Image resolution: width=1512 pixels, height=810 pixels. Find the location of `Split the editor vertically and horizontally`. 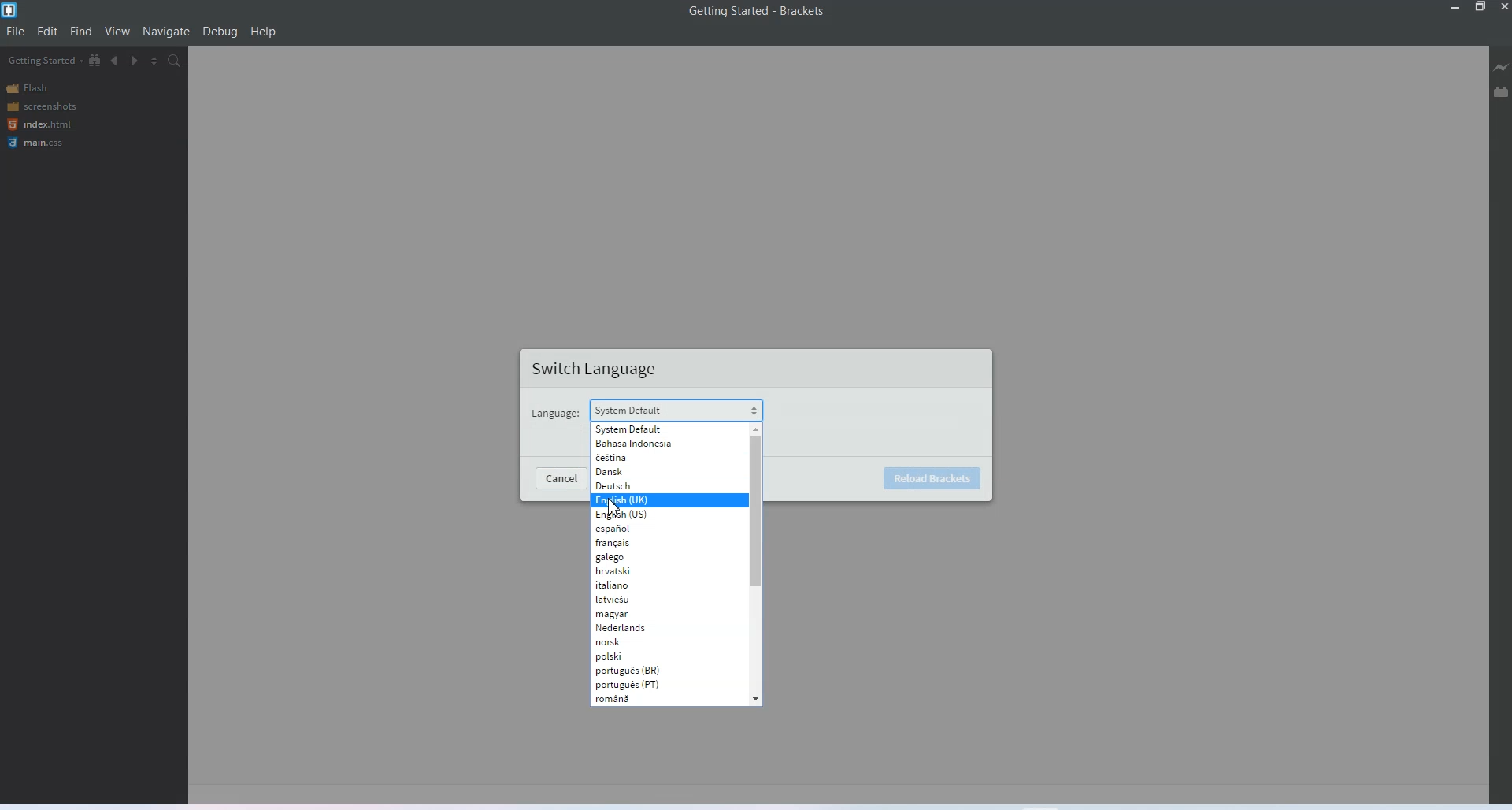

Split the editor vertically and horizontally is located at coordinates (154, 61).